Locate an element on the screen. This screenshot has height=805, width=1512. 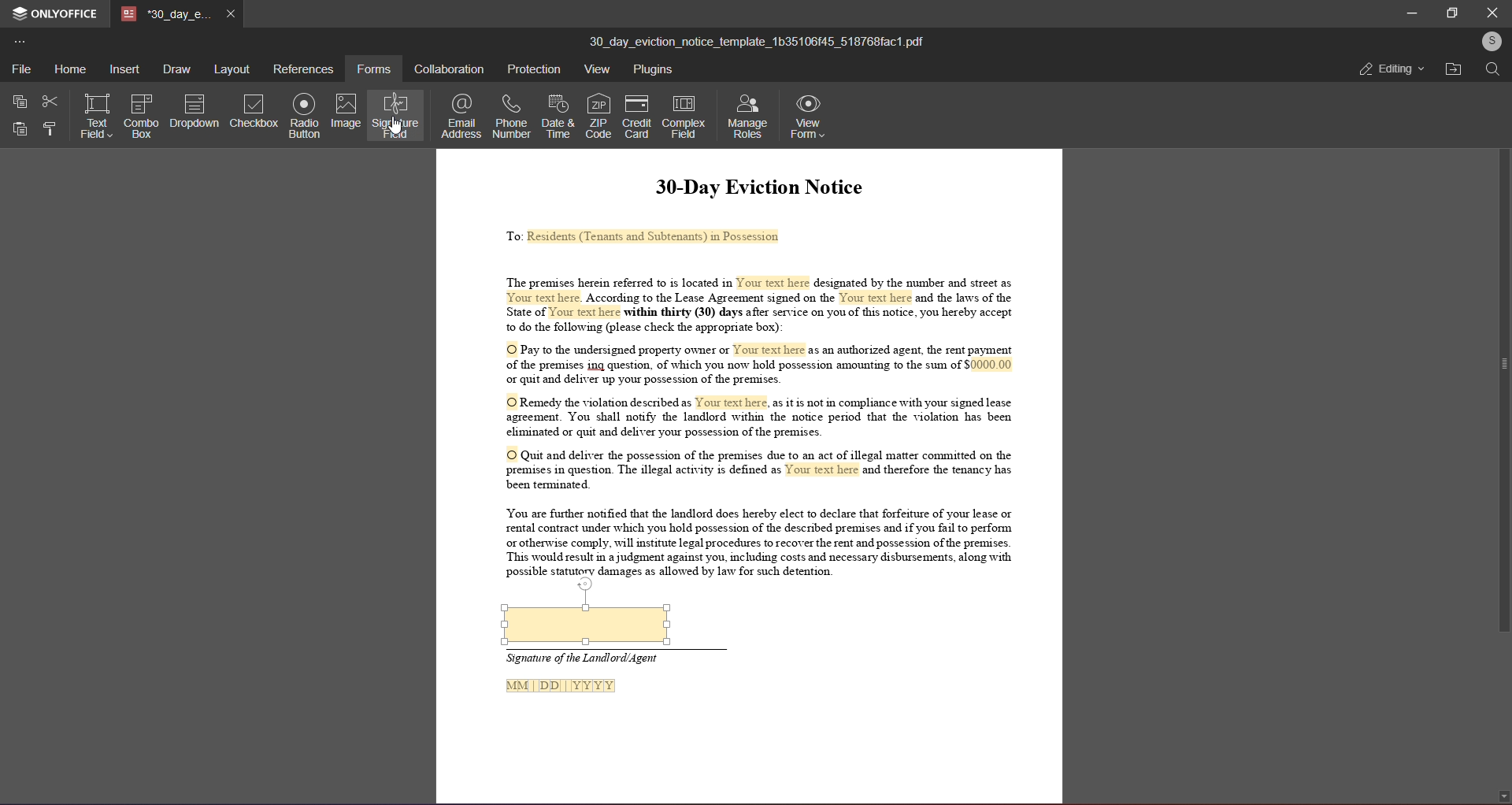
This is a 30 day eviction notice informing tenants that they must either pay overdue rent,correct a lease violation, or vacate the premises due to illegal activity. Failure to comply will result in legal actions. is located at coordinates (750, 367).